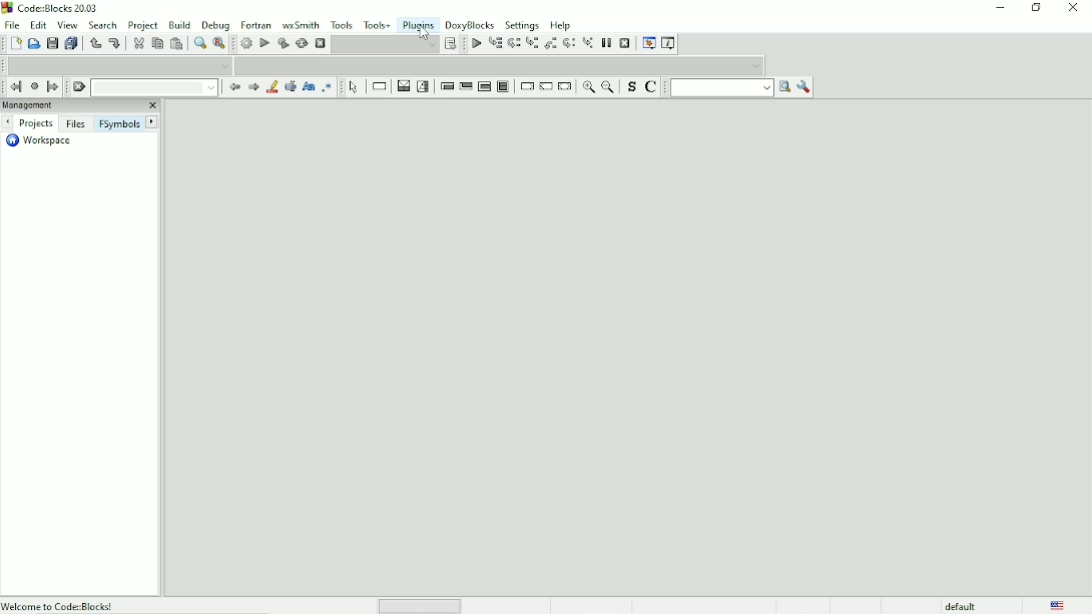 Image resolution: width=1092 pixels, height=614 pixels. What do you see at coordinates (13, 87) in the screenshot?
I see `Jump back` at bounding box center [13, 87].